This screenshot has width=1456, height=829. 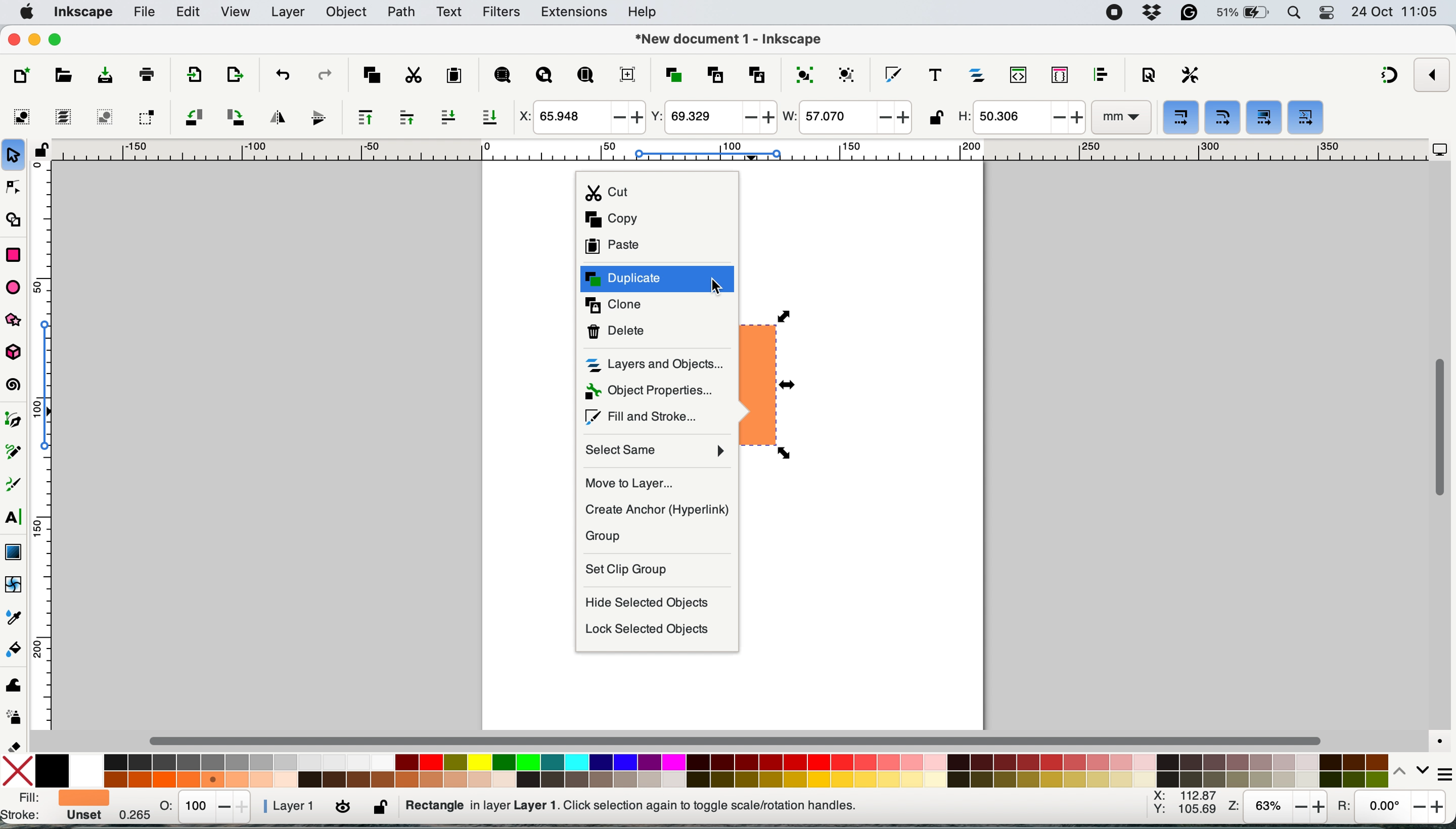 What do you see at coordinates (15, 717) in the screenshot?
I see `spray tool` at bounding box center [15, 717].